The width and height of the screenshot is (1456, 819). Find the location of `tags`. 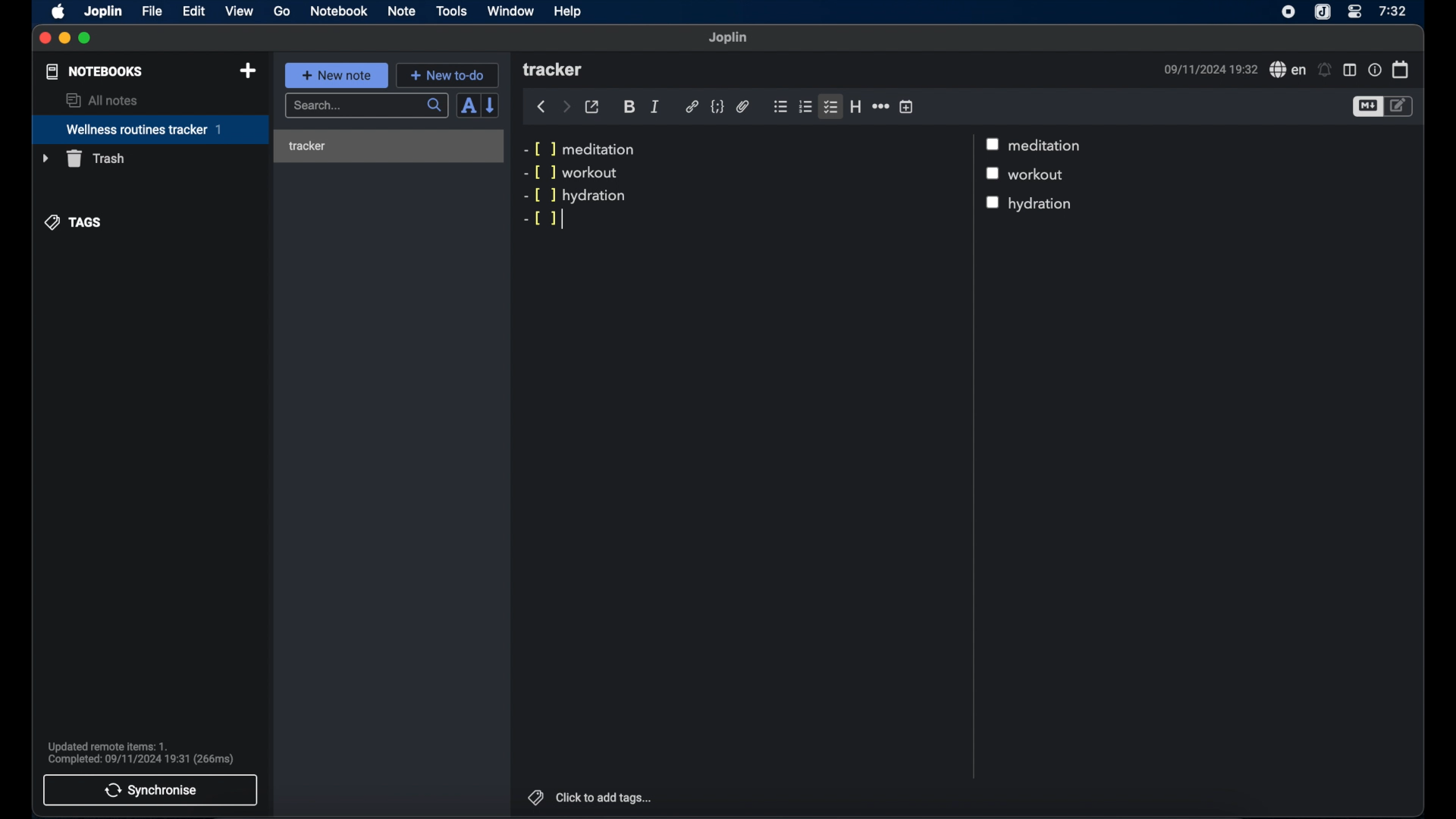

tags is located at coordinates (74, 223).